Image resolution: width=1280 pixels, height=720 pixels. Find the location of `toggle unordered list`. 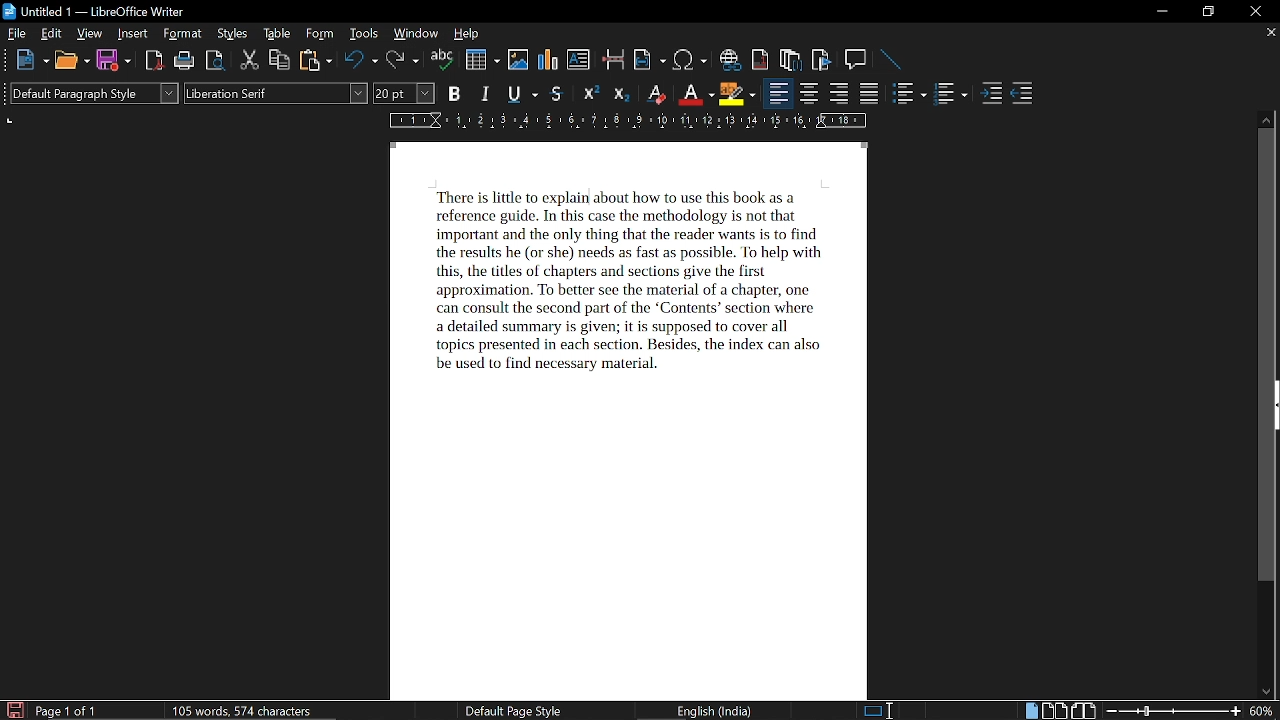

toggle unordered list is located at coordinates (950, 95).